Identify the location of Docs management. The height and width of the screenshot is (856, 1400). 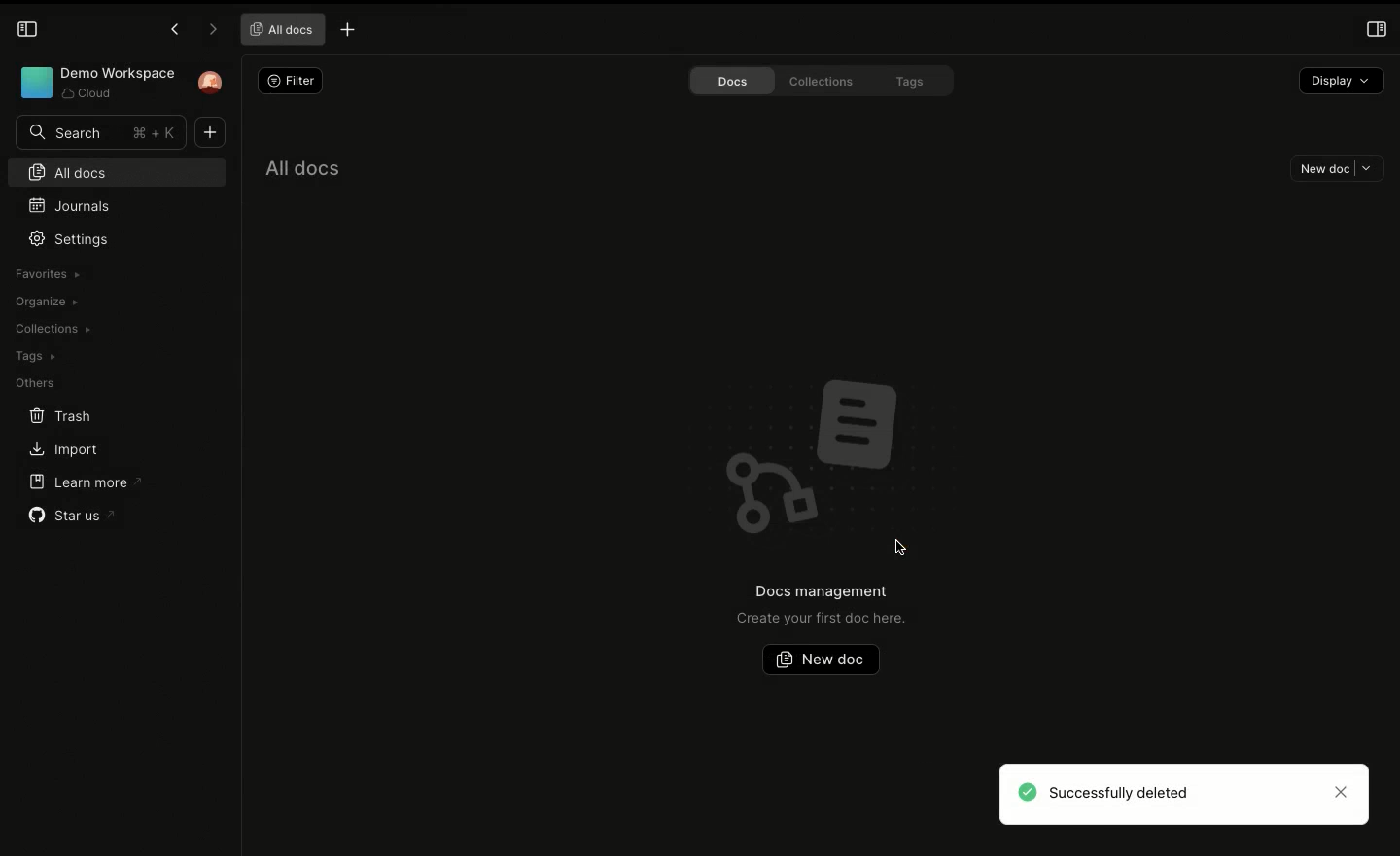
(820, 591).